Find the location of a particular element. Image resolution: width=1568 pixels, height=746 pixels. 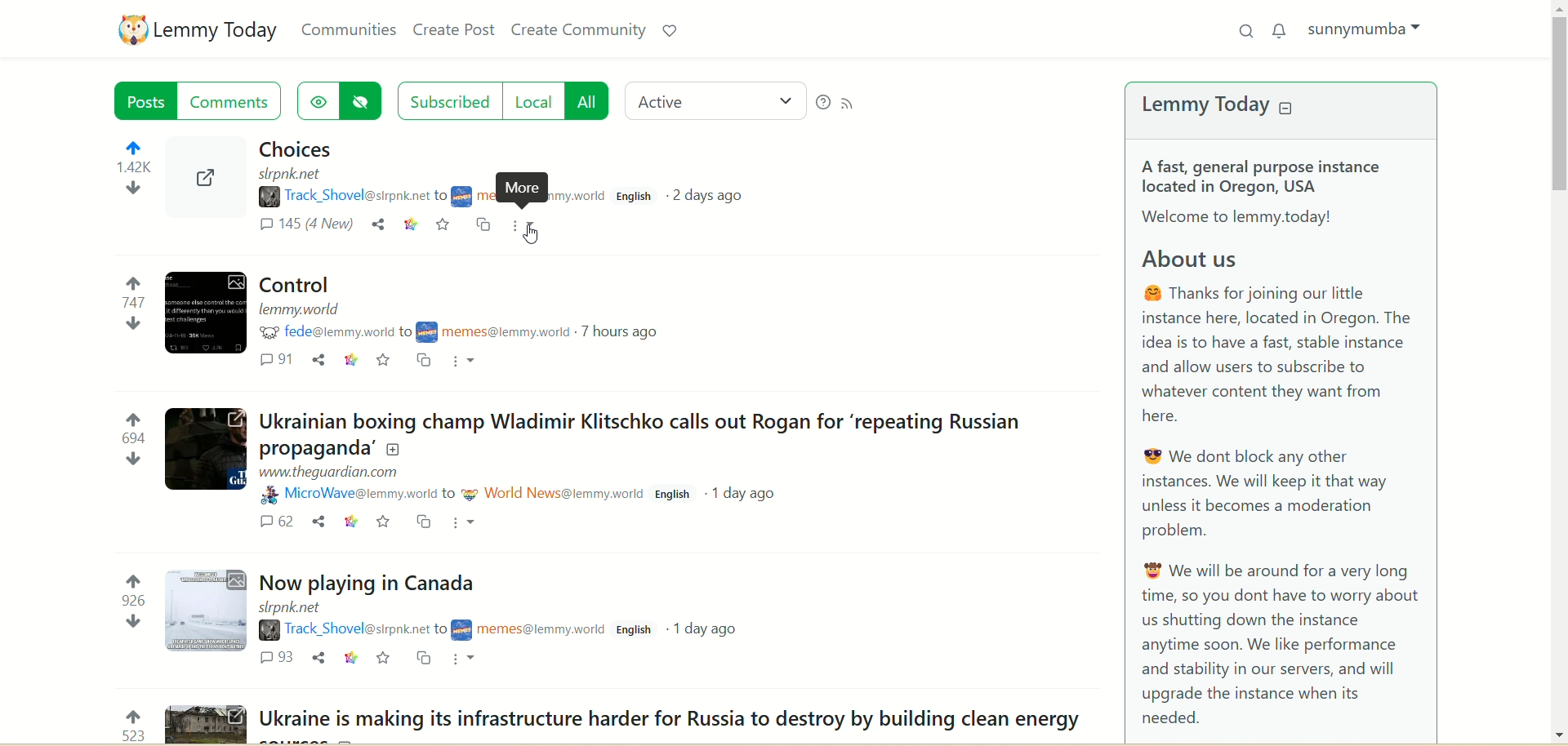

username is located at coordinates (350, 195).